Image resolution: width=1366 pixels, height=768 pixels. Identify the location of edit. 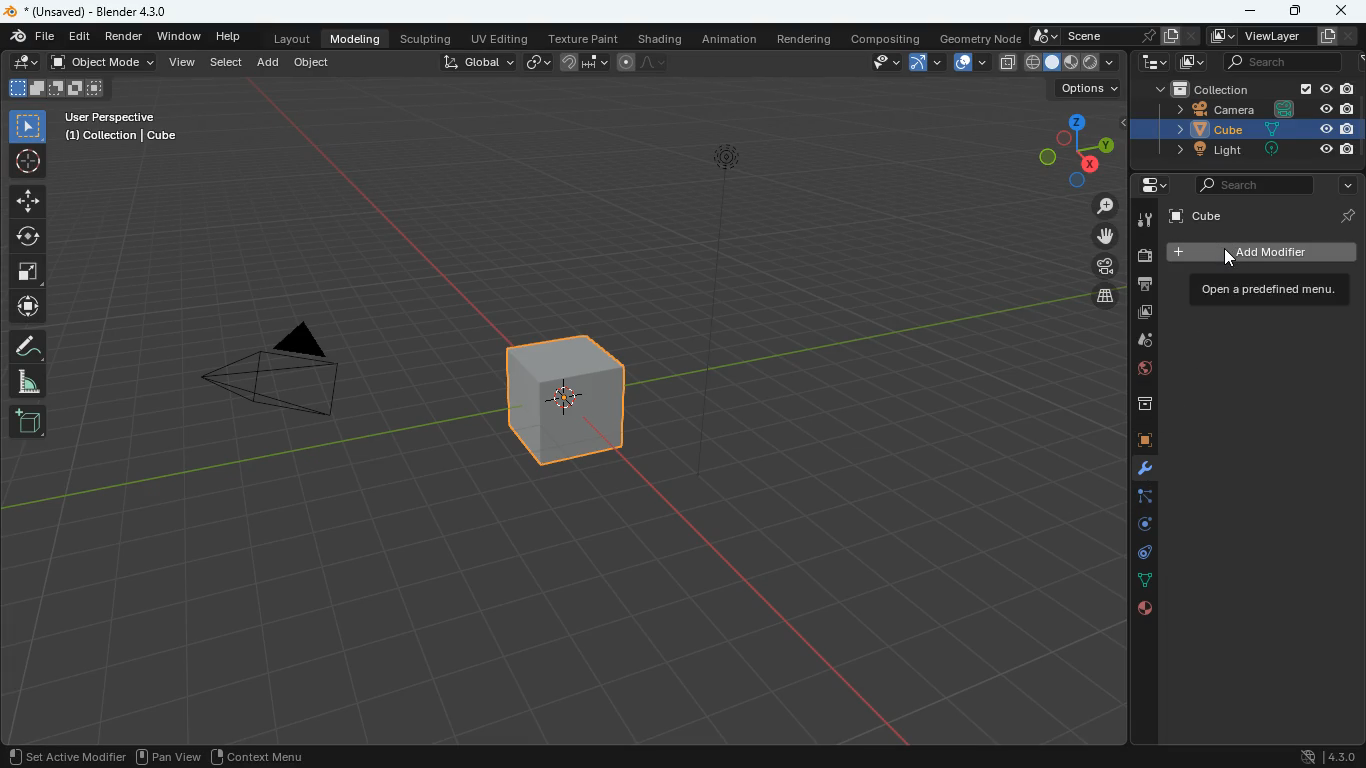
(80, 38).